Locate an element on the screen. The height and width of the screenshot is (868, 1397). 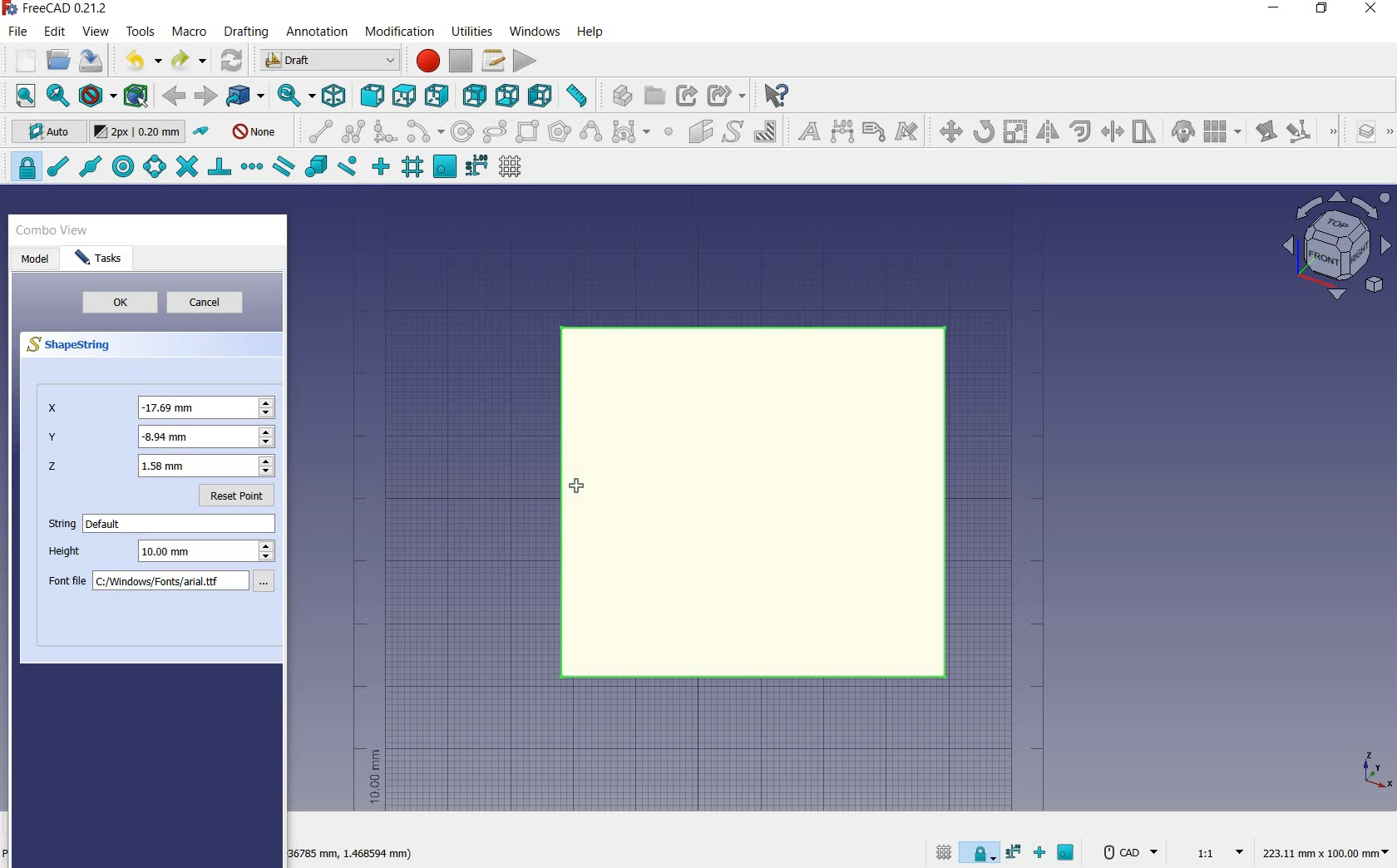
snap angle is located at coordinates (152, 168).